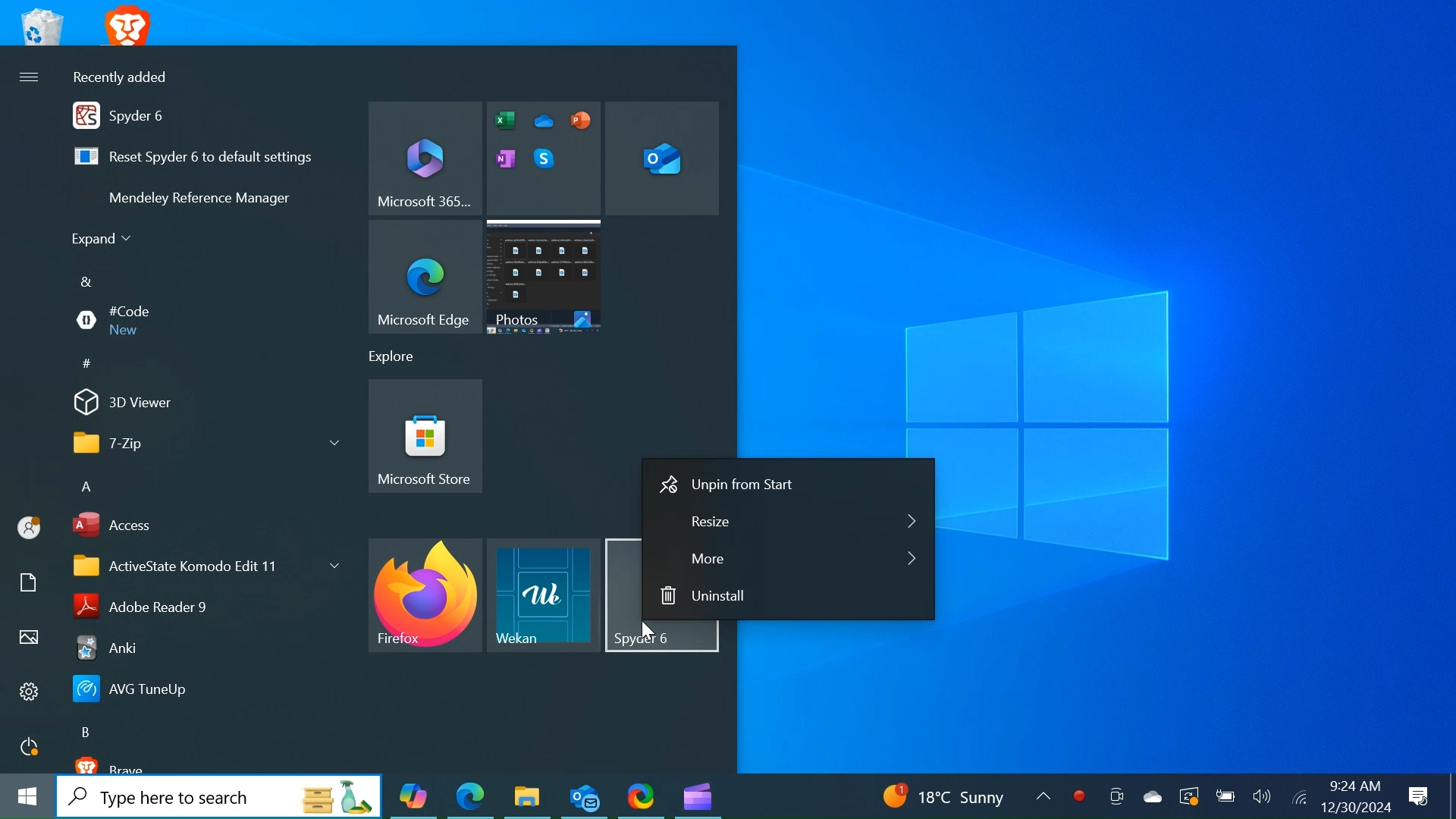 The width and height of the screenshot is (1456, 819). I want to click on Microsoft 365, so click(425, 158).